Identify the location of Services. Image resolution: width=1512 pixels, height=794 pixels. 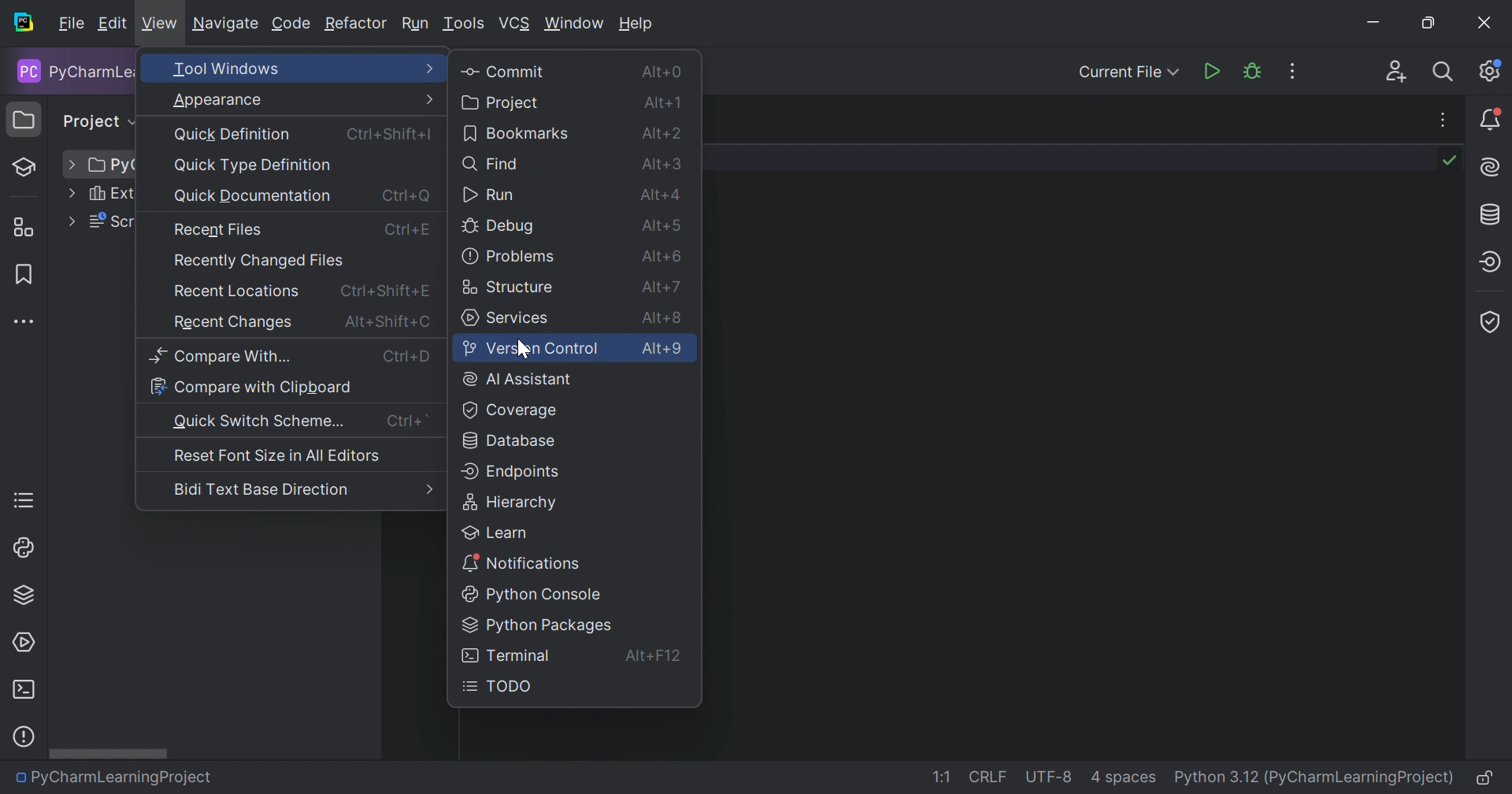
(24, 643).